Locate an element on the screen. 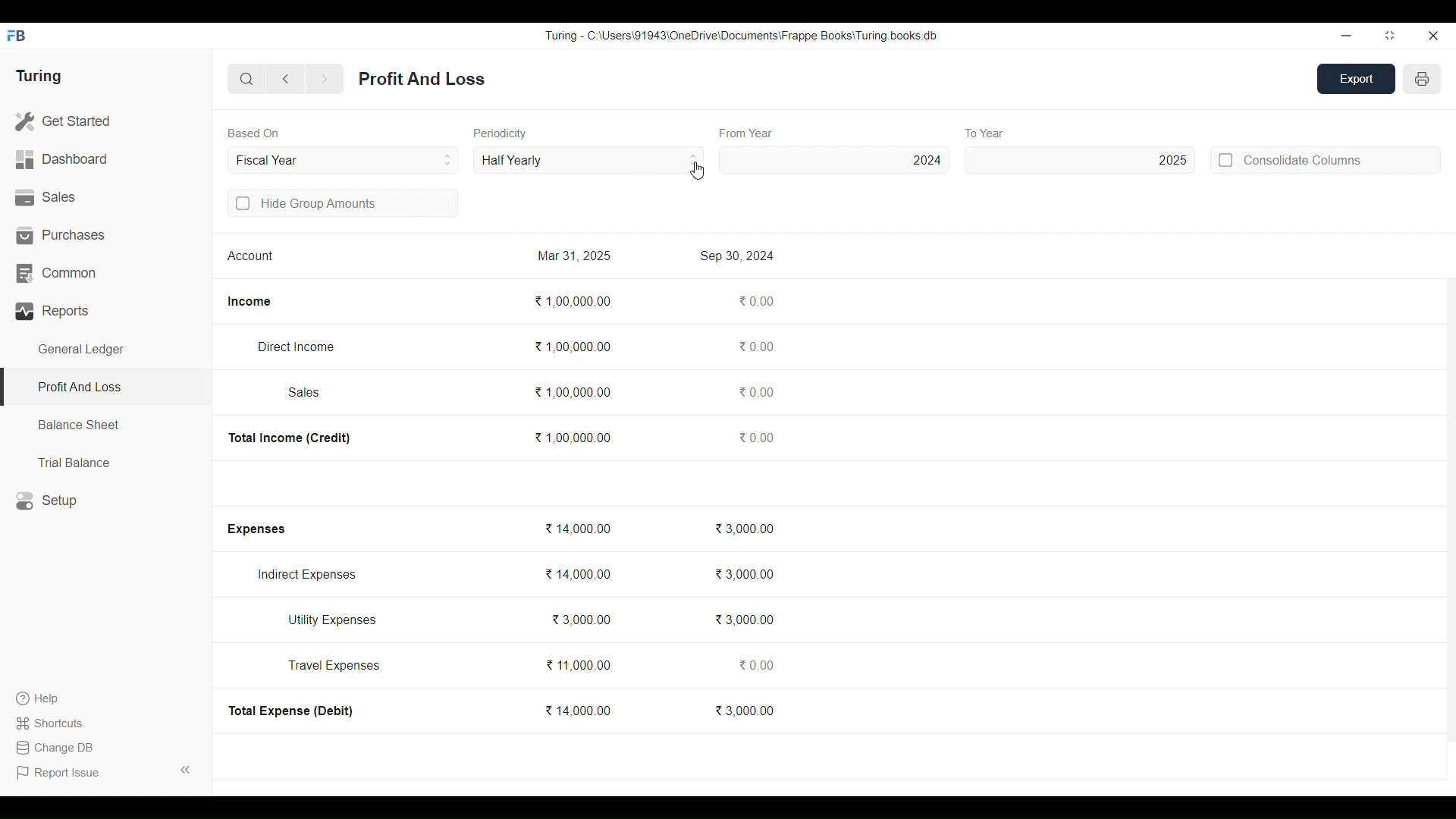  Export is located at coordinates (1357, 79).